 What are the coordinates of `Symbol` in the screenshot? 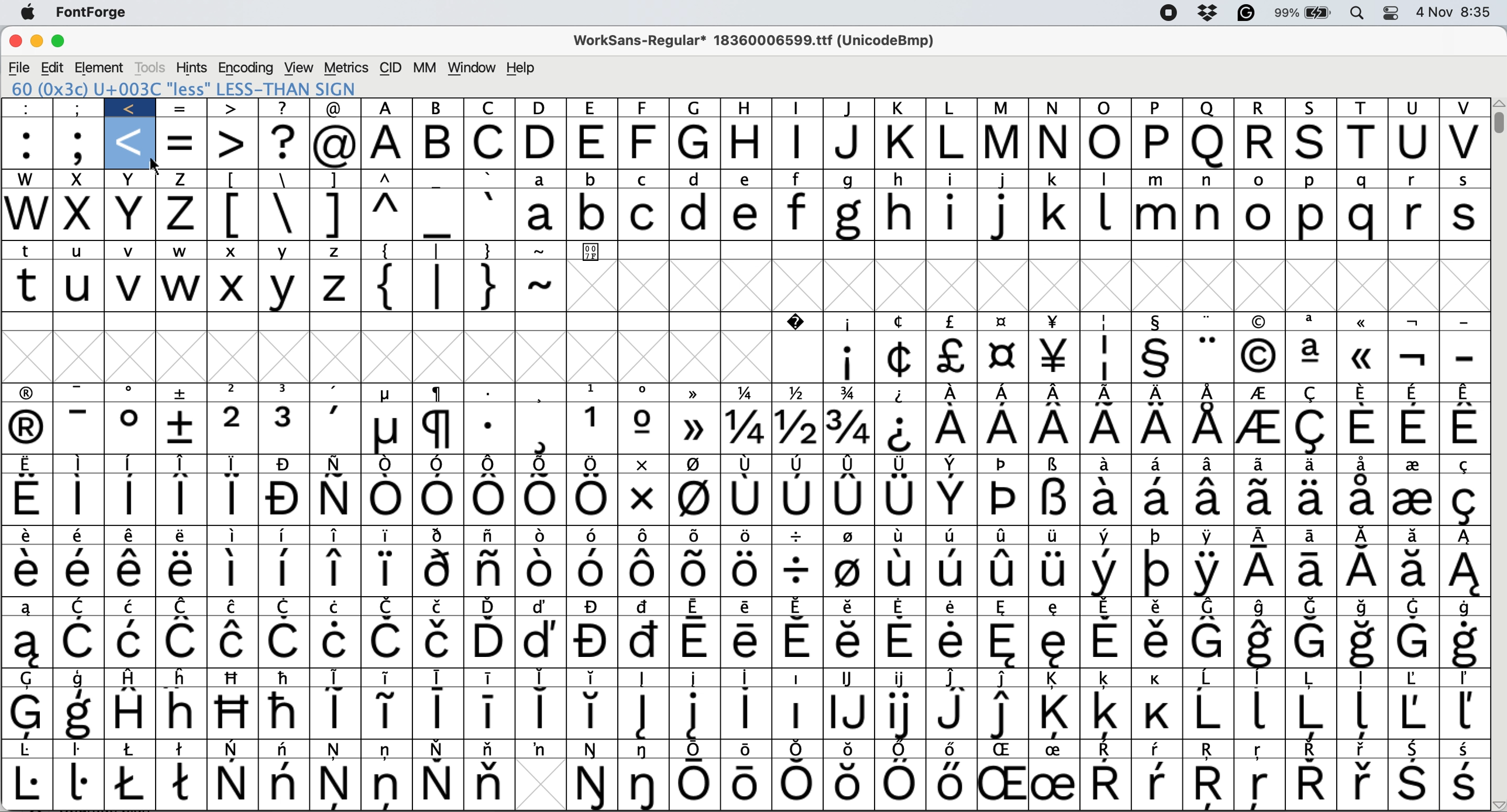 It's located at (1313, 463).